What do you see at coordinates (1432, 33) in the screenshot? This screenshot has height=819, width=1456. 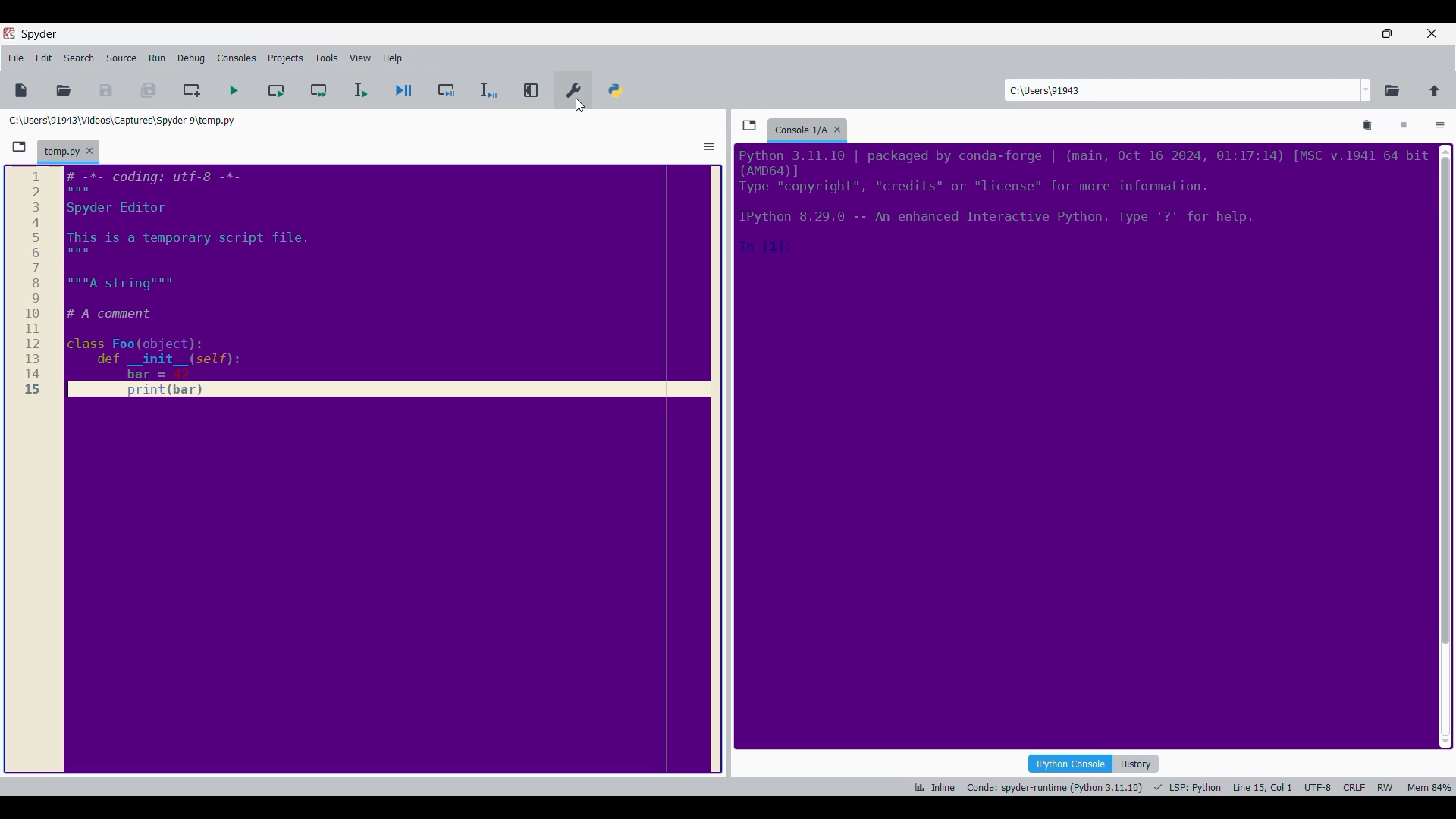 I see `Close interface` at bounding box center [1432, 33].